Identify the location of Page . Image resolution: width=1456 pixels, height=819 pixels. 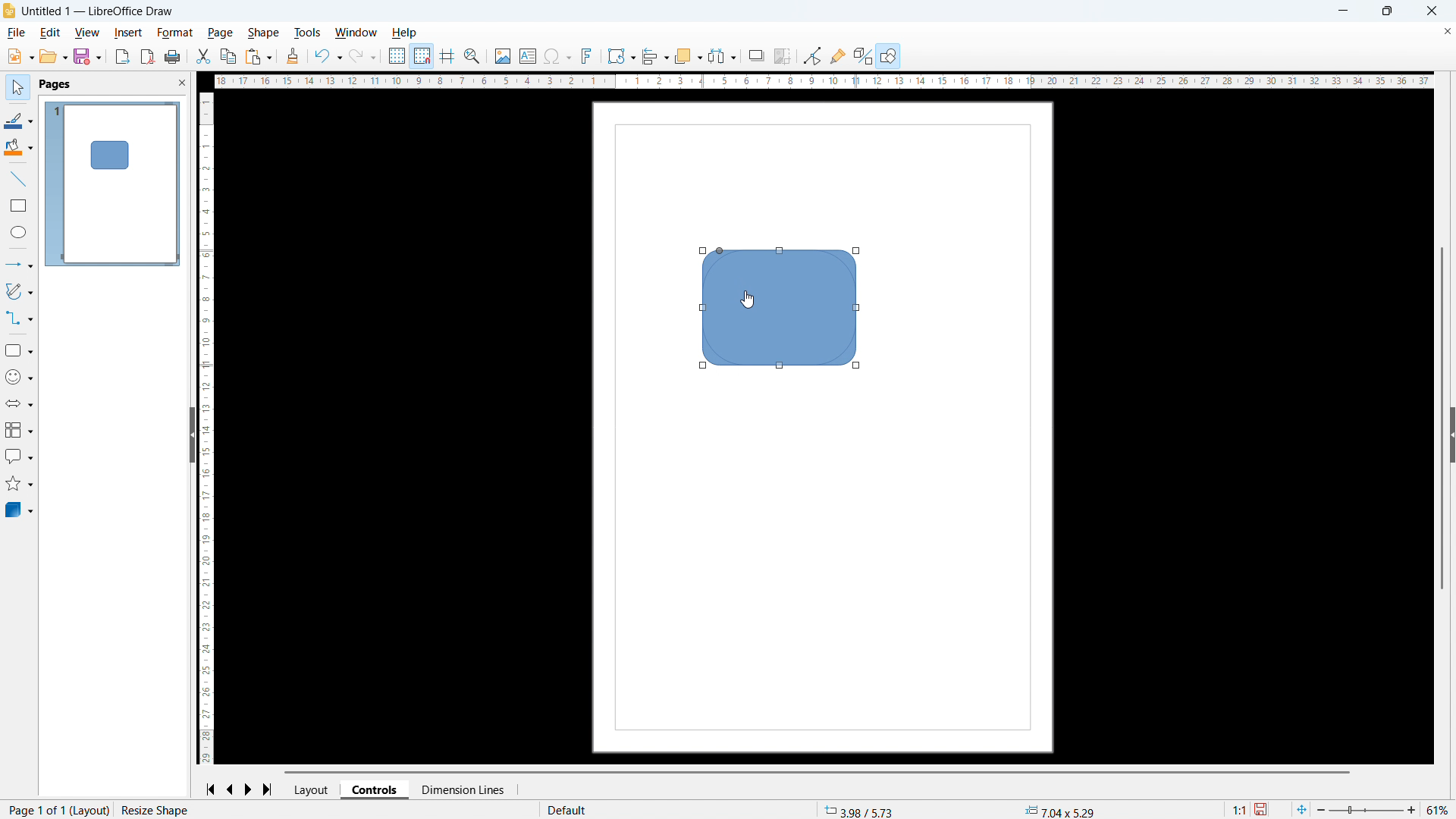
(220, 33).